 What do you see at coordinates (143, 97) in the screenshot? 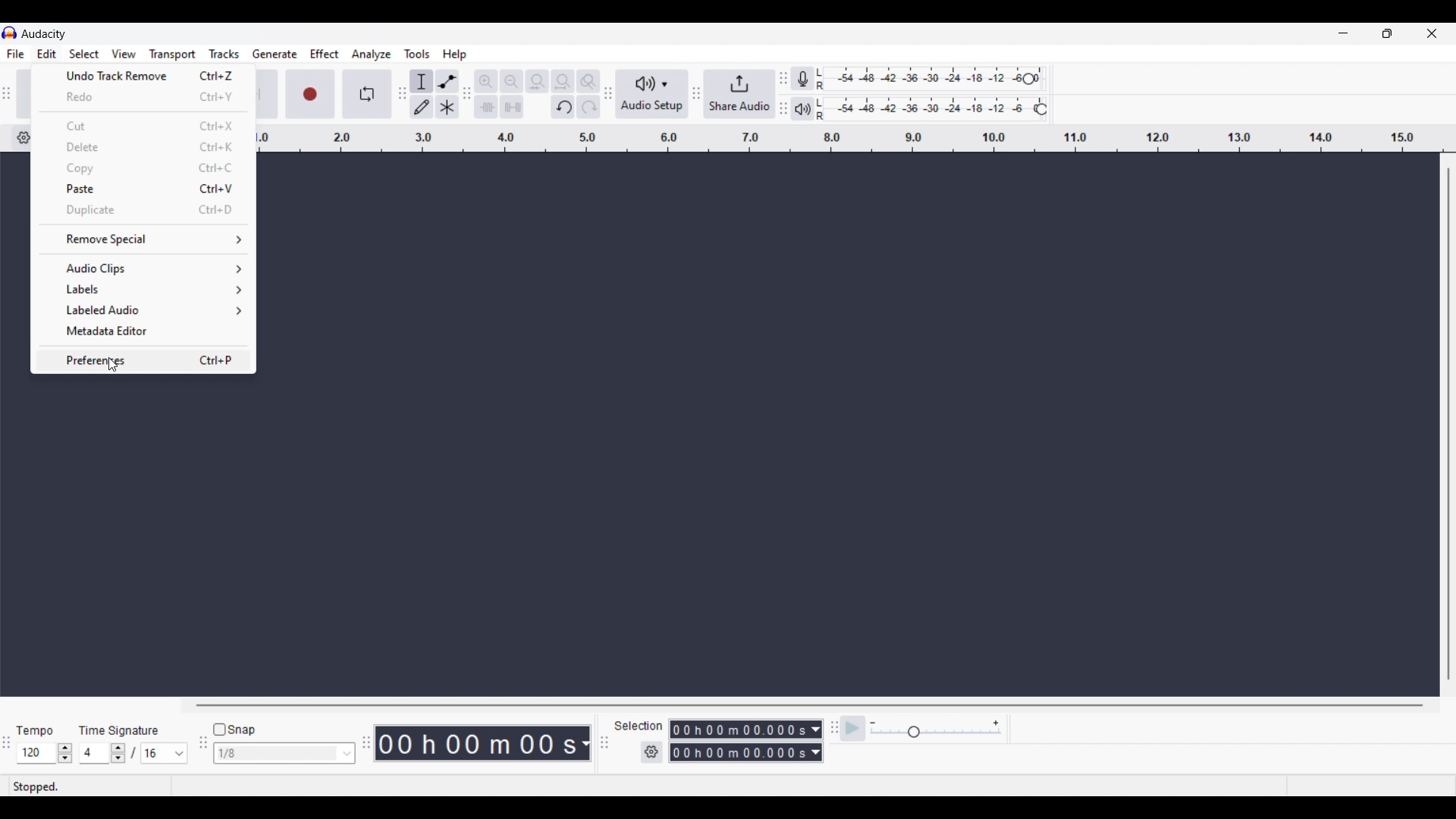
I see `Redo` at bounding box center [143, 97].